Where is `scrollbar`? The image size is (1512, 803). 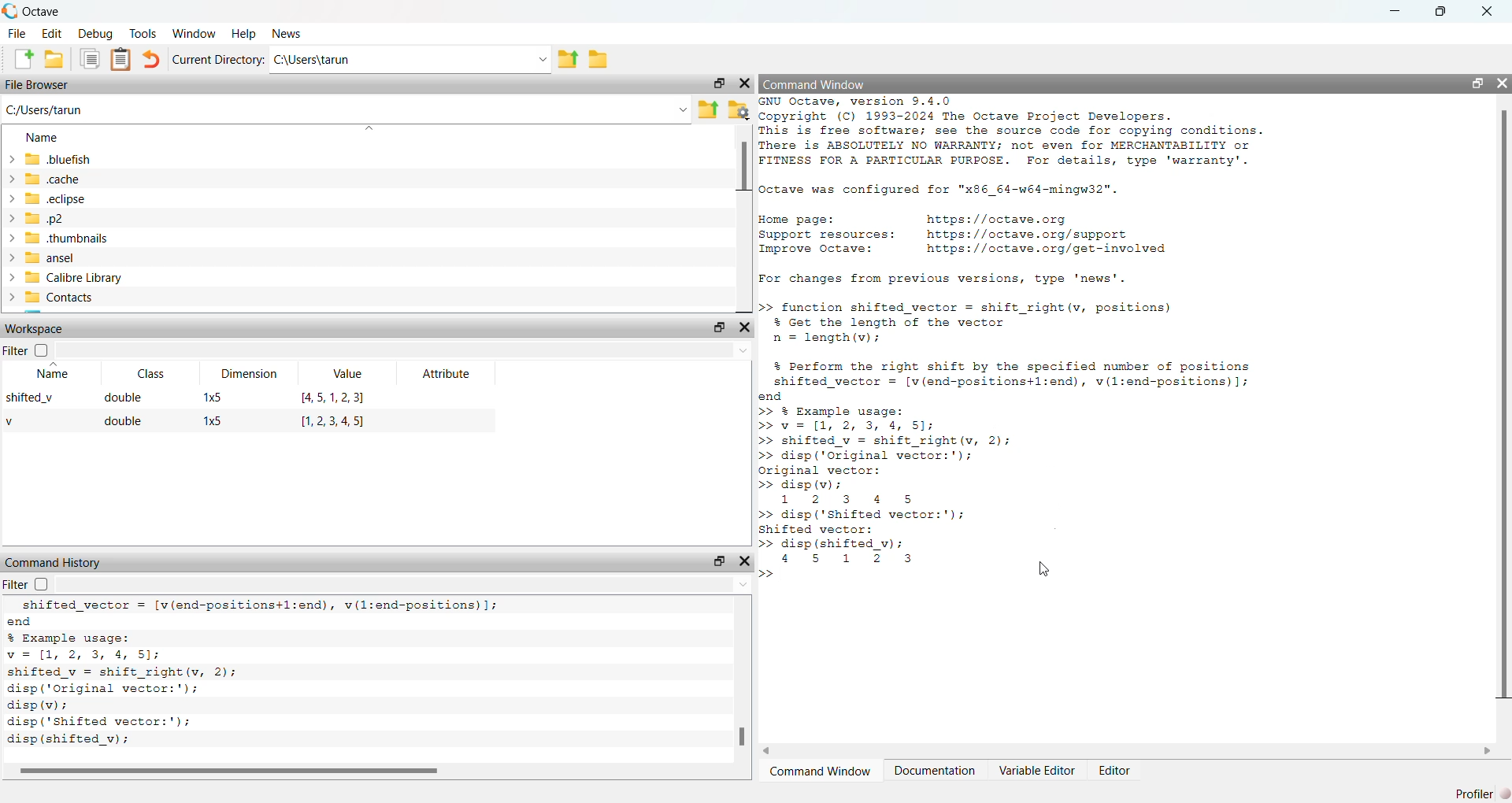
scrollbar is located at coordinates (744, 173).